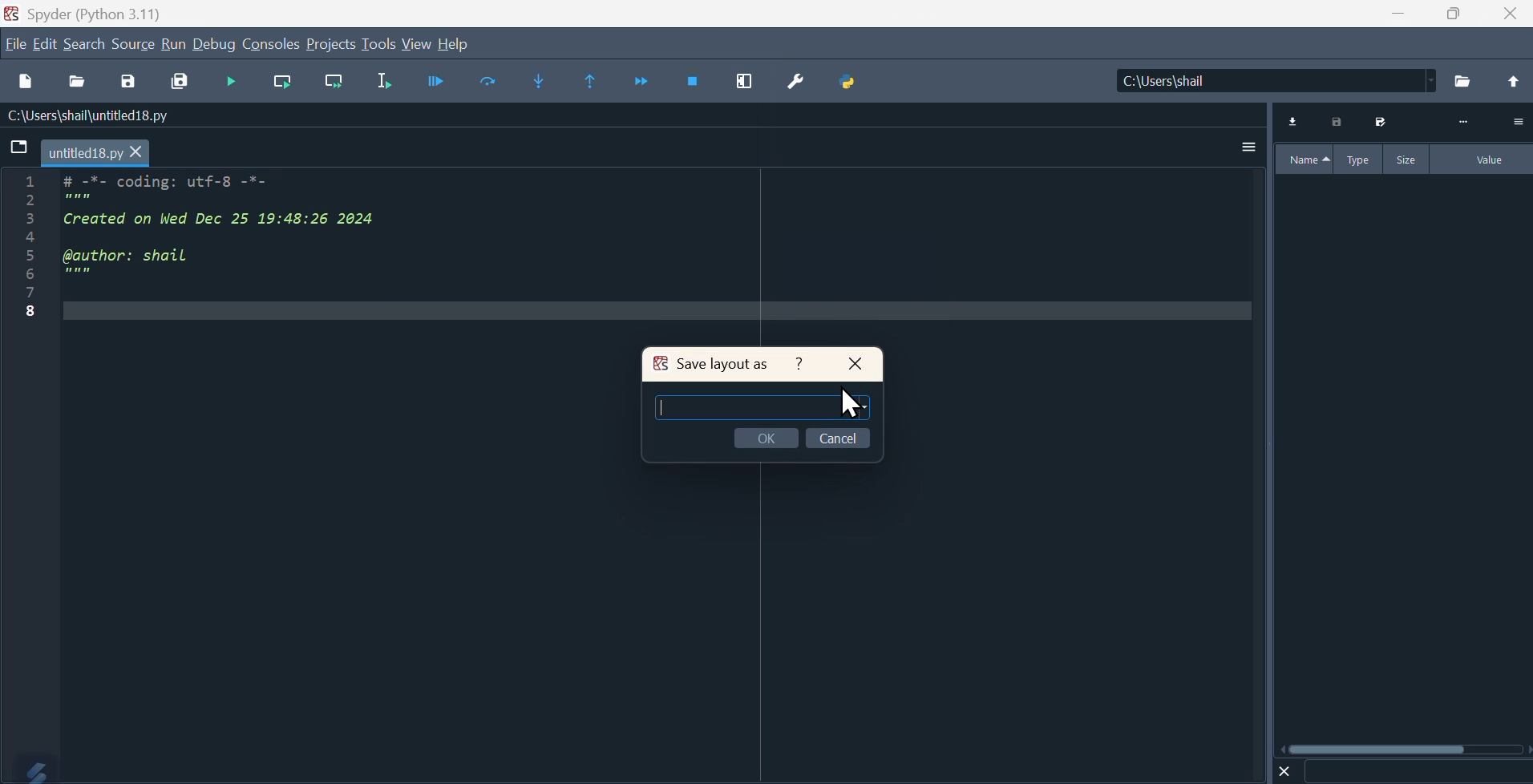  Describe the element at coordinates (79, 83) in the screenshot. I see `Open` at that location.